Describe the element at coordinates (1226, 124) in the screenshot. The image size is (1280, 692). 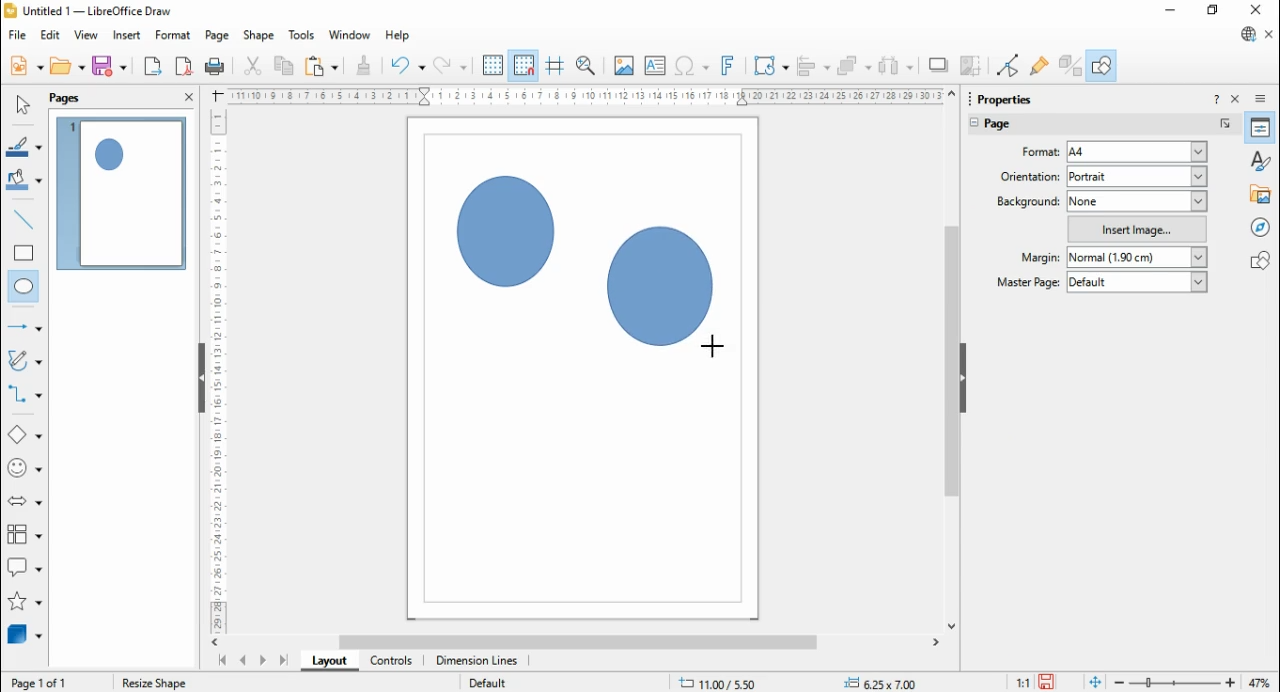
I see `more options` at that location.